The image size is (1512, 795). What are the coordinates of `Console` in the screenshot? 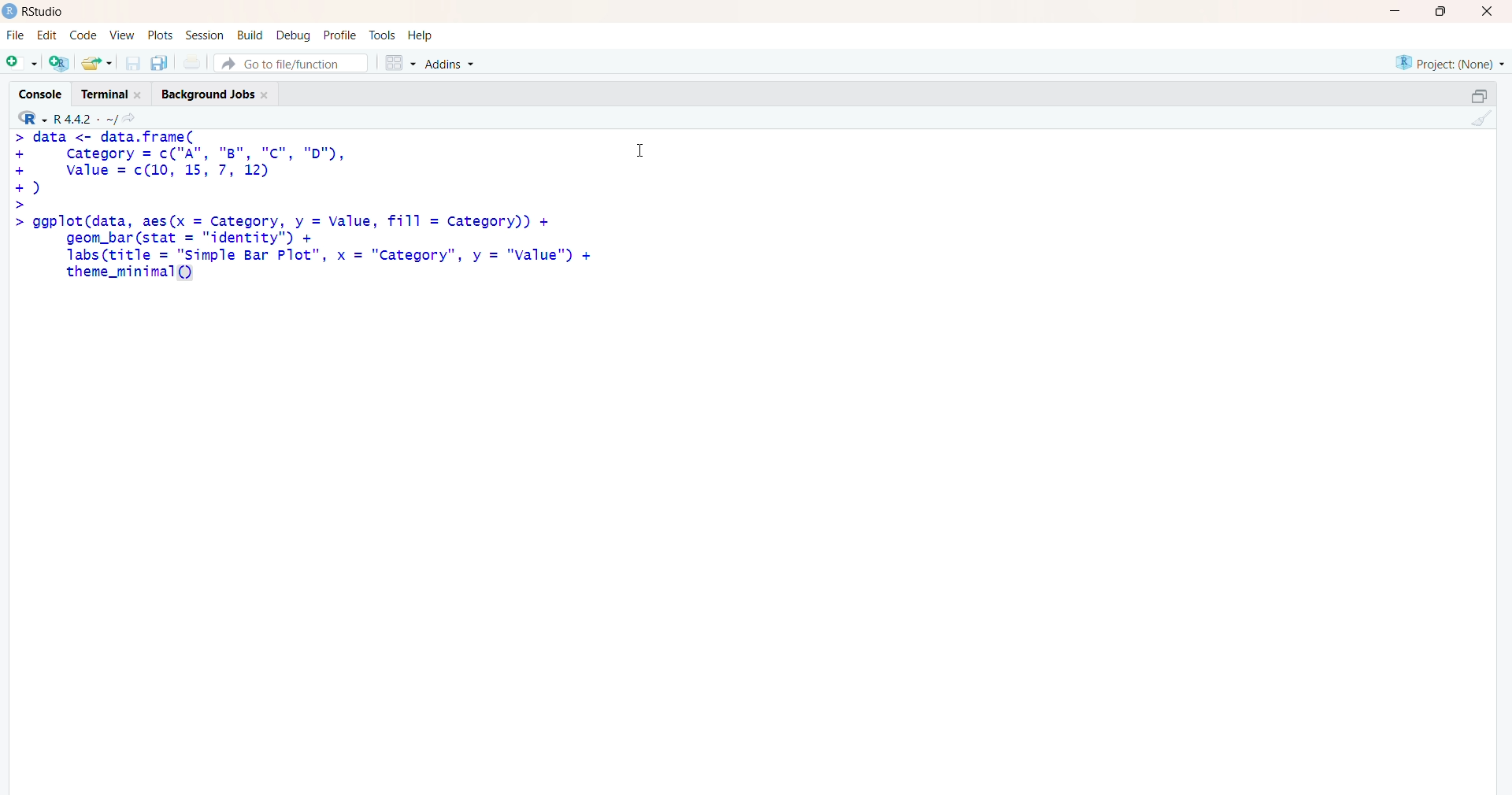 It's located at (44, 92).